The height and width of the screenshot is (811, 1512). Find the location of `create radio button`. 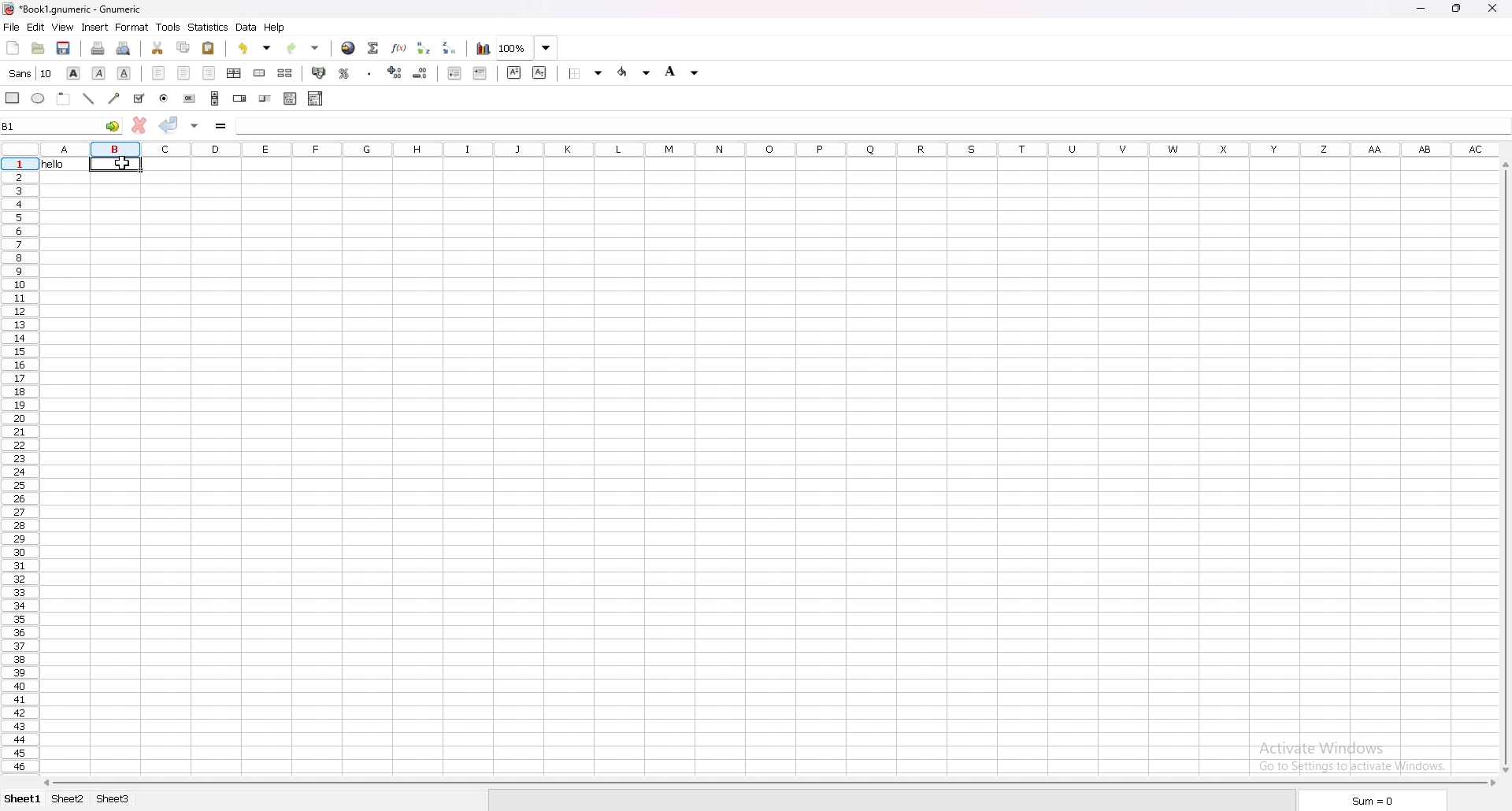

create radio button is located at coordinates (165, 98).